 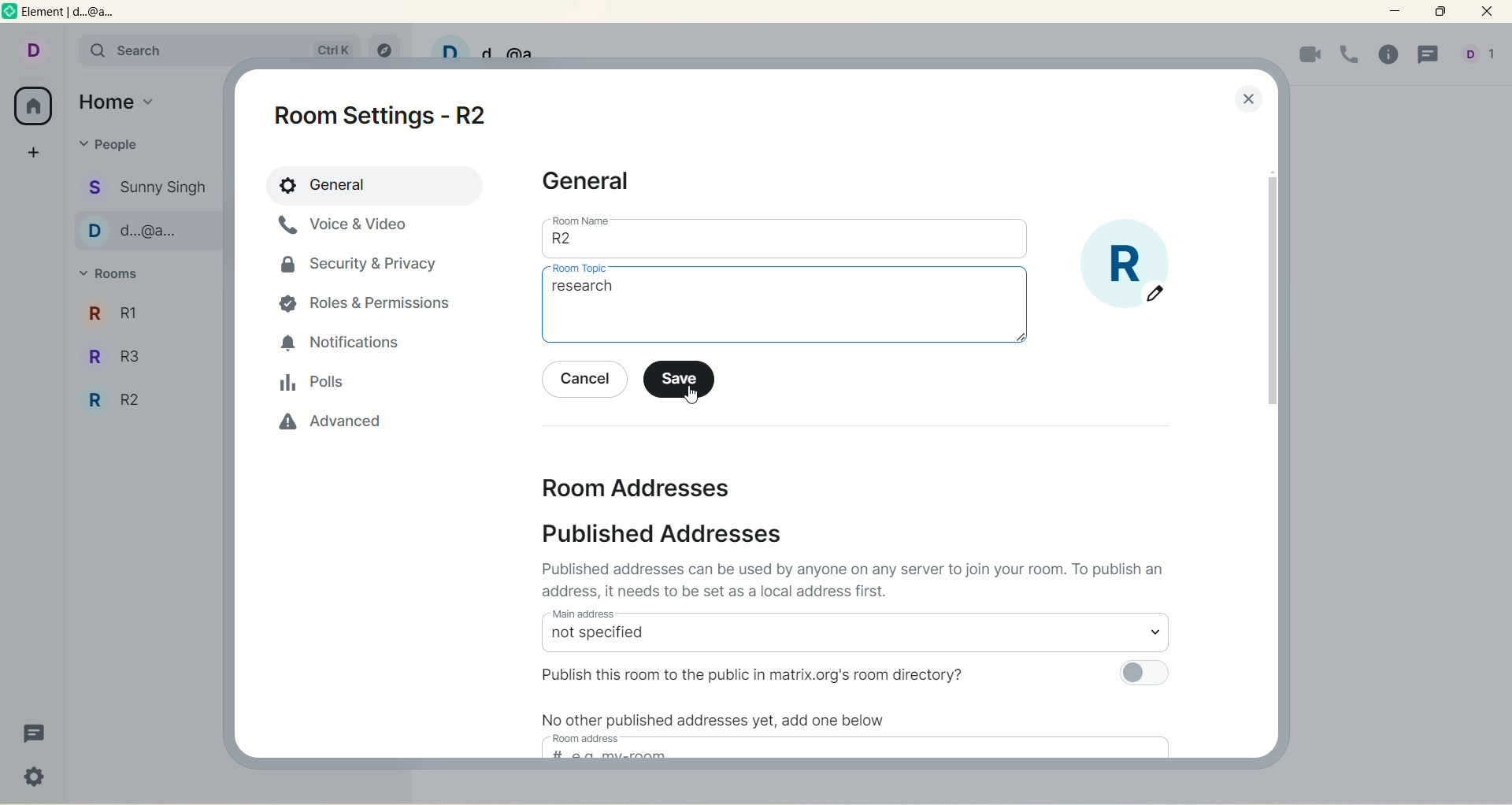 What do you see at coordinates (1398, 12) in the screenshot?
I see `minimize` at bounding box center [1398, 12].